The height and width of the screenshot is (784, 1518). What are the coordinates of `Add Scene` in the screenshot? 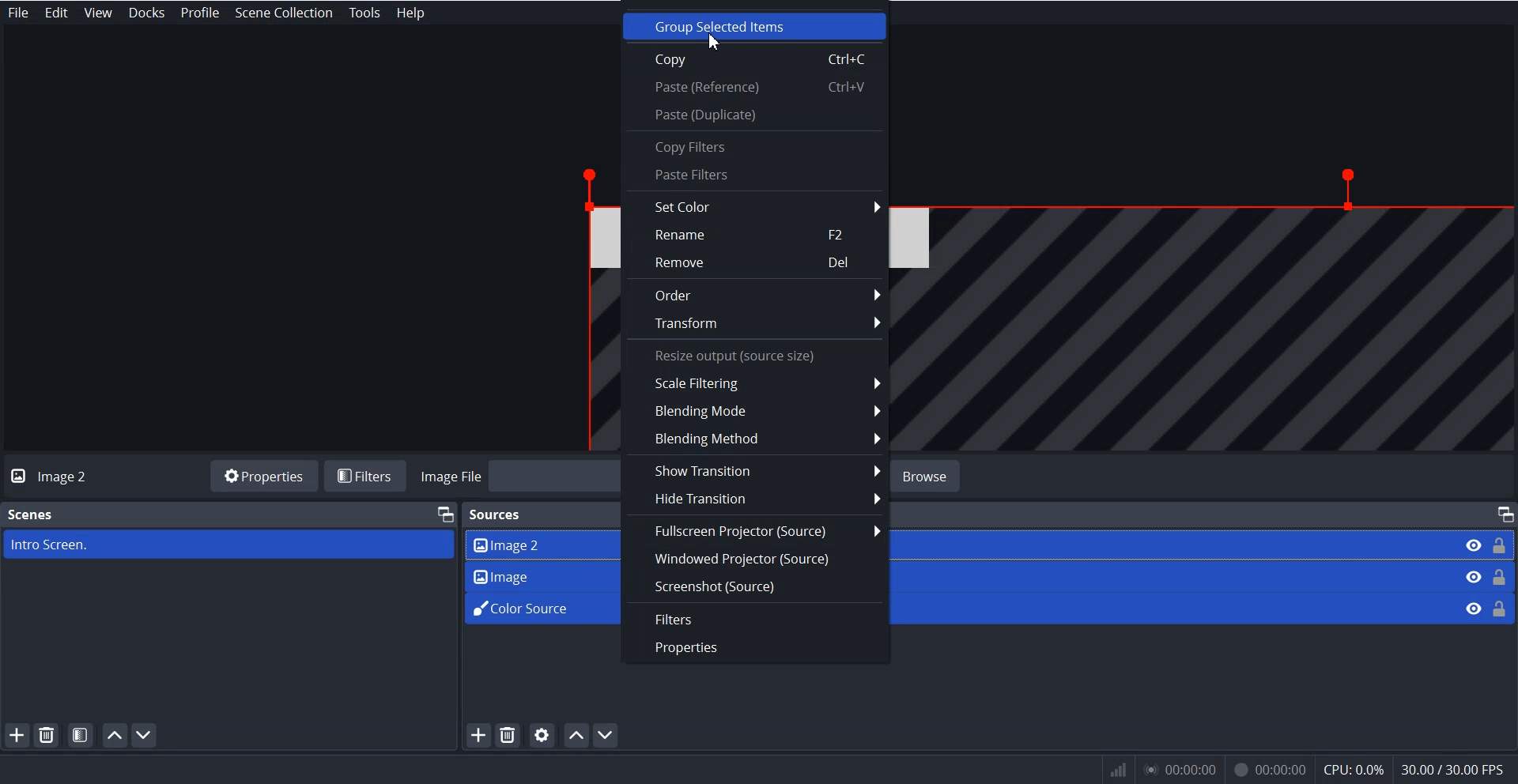 It's located at (17, 735).